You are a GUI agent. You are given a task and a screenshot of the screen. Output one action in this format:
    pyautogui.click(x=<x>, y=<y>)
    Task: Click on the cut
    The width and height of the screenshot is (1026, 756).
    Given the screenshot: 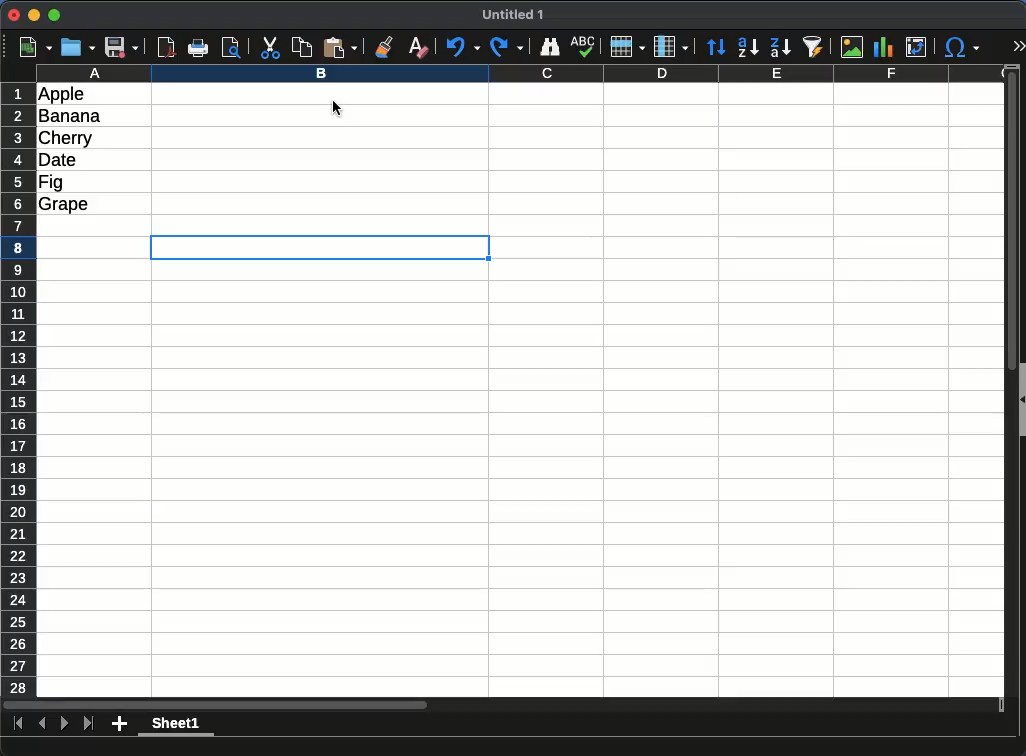 What is the action you would take?
    pyautogui.click(x=269, y=48)
    